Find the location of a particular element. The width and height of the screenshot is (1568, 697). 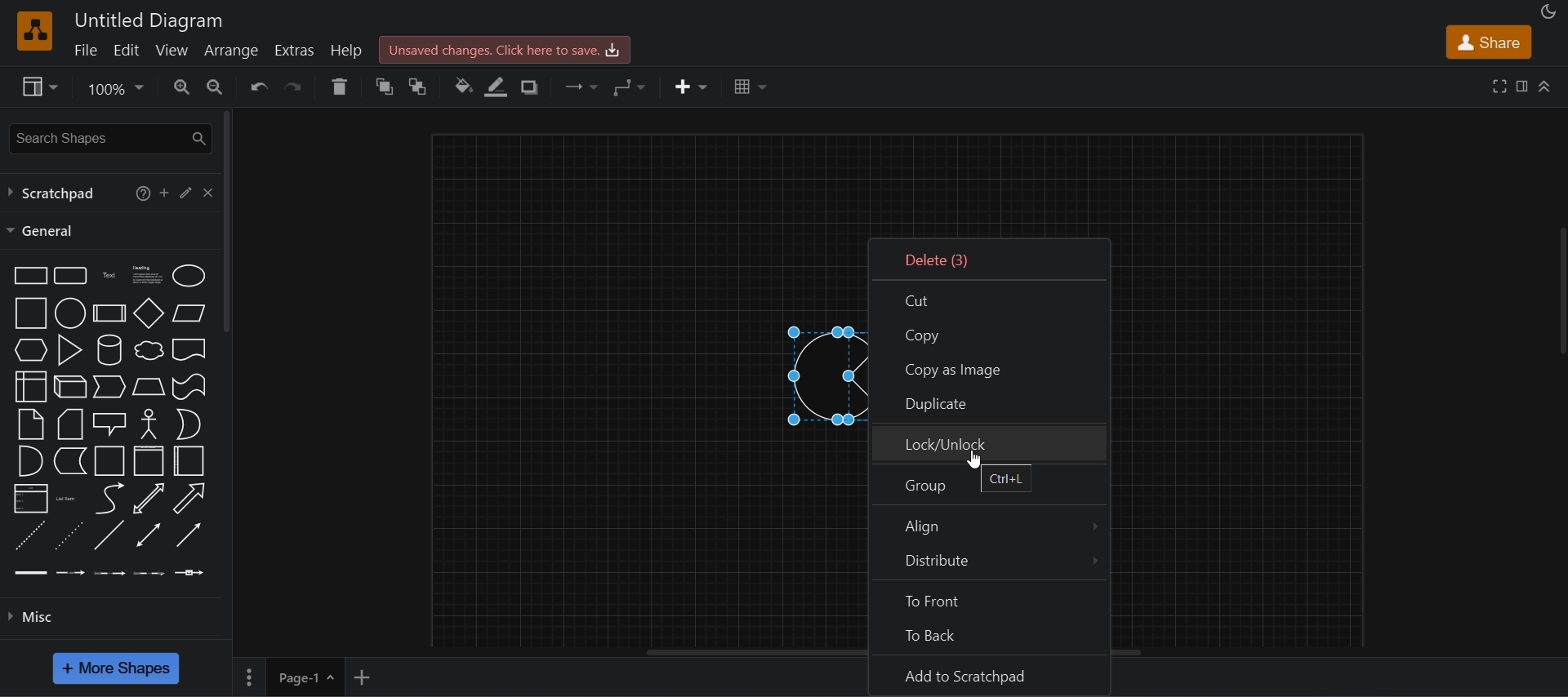

line color is located at coordinates (497, 87).